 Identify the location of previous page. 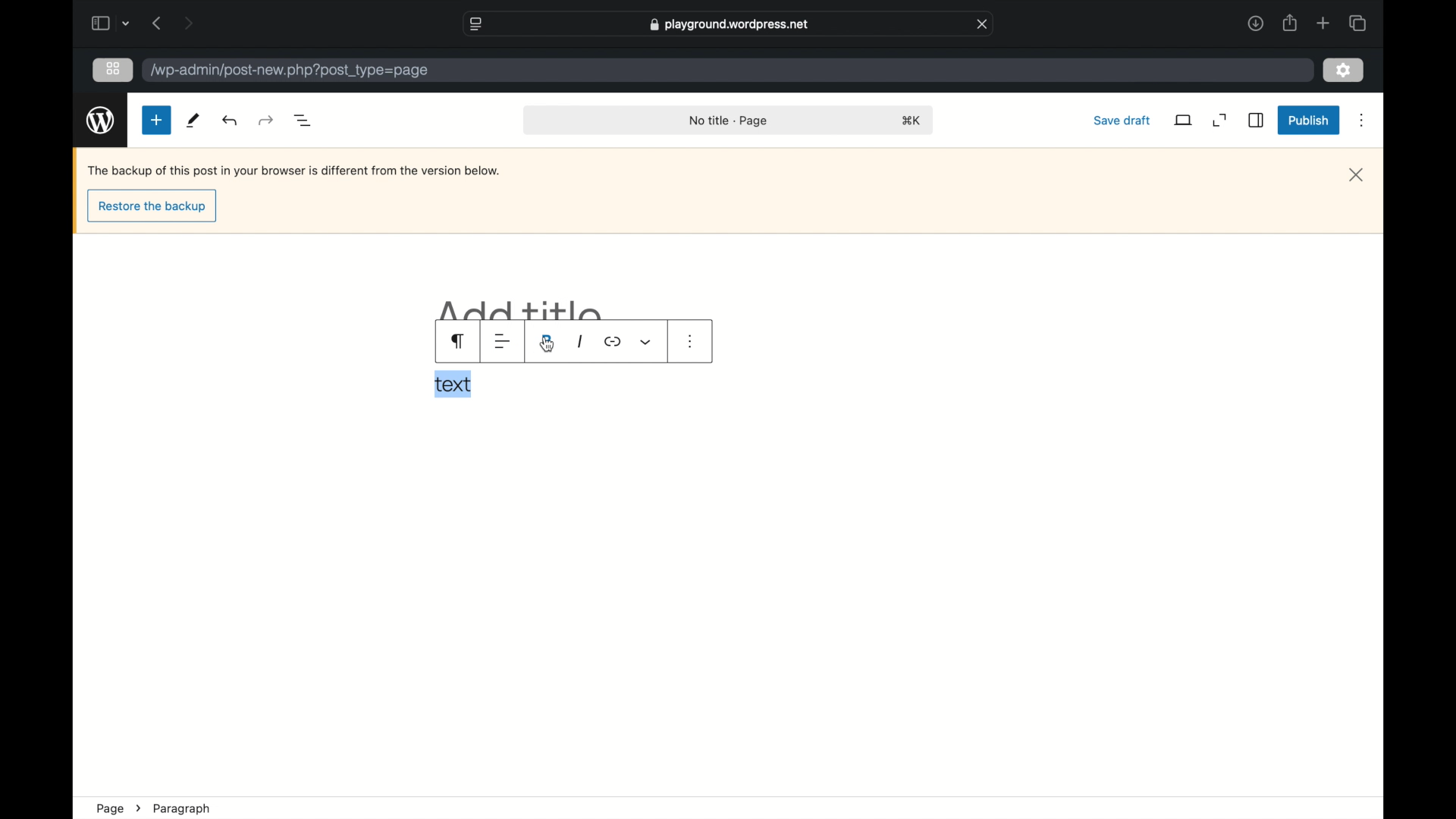
(156, 23).